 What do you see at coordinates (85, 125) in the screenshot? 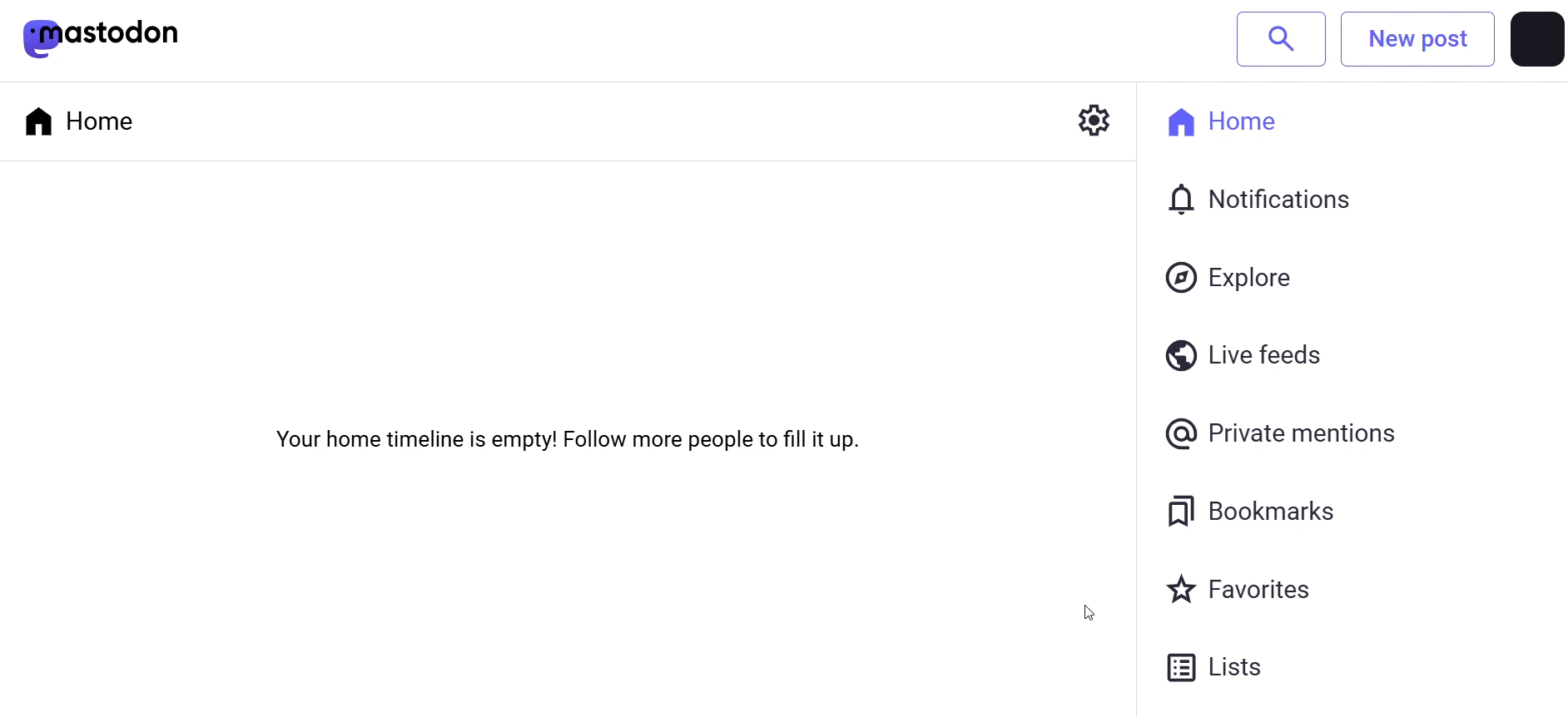
I see `home tab` at bounding box center [85, 125].